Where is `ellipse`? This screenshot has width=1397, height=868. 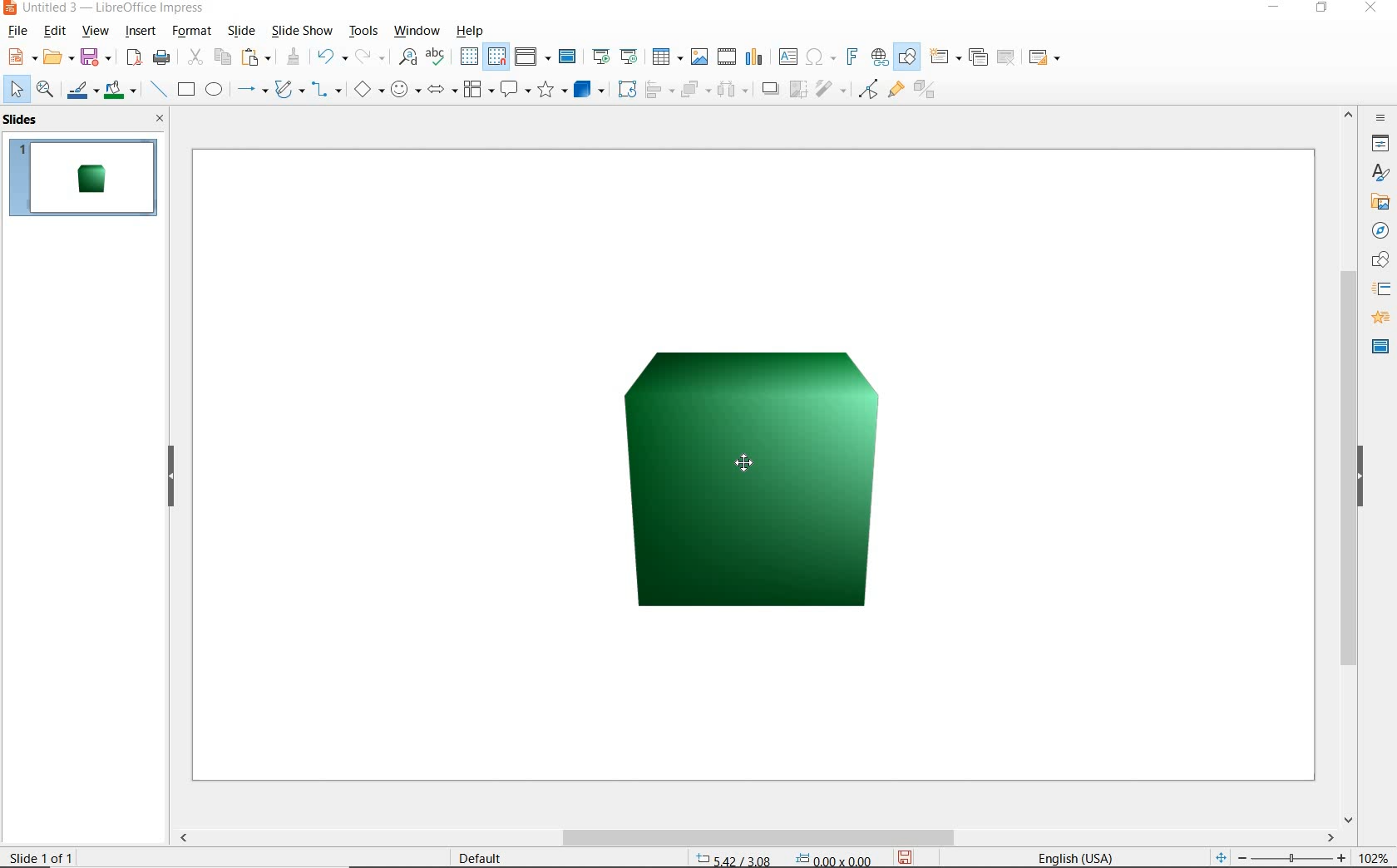
ellipse is located at coordinates (214, 90).